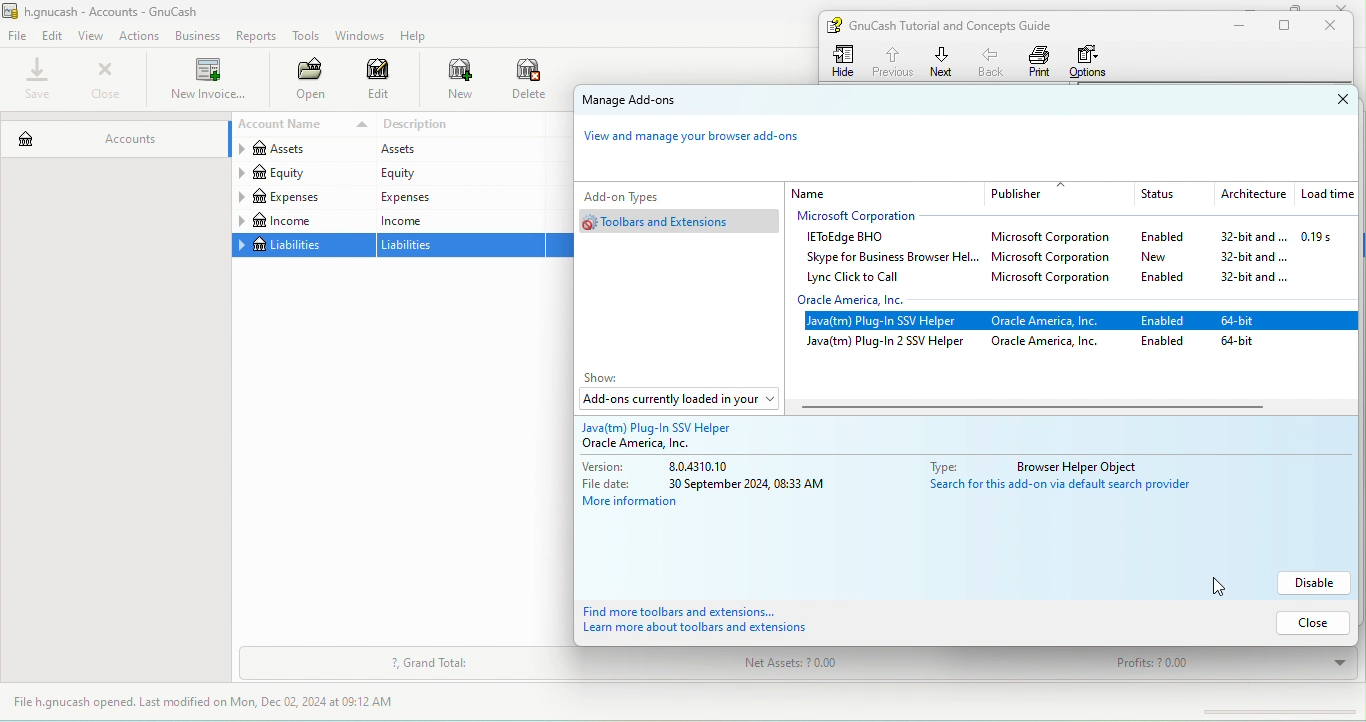  What do you see at coordinates (959, 25) in the screenshot?
I see `gnu cash tutorial and concepts guide` at bounding box center [959, 25].